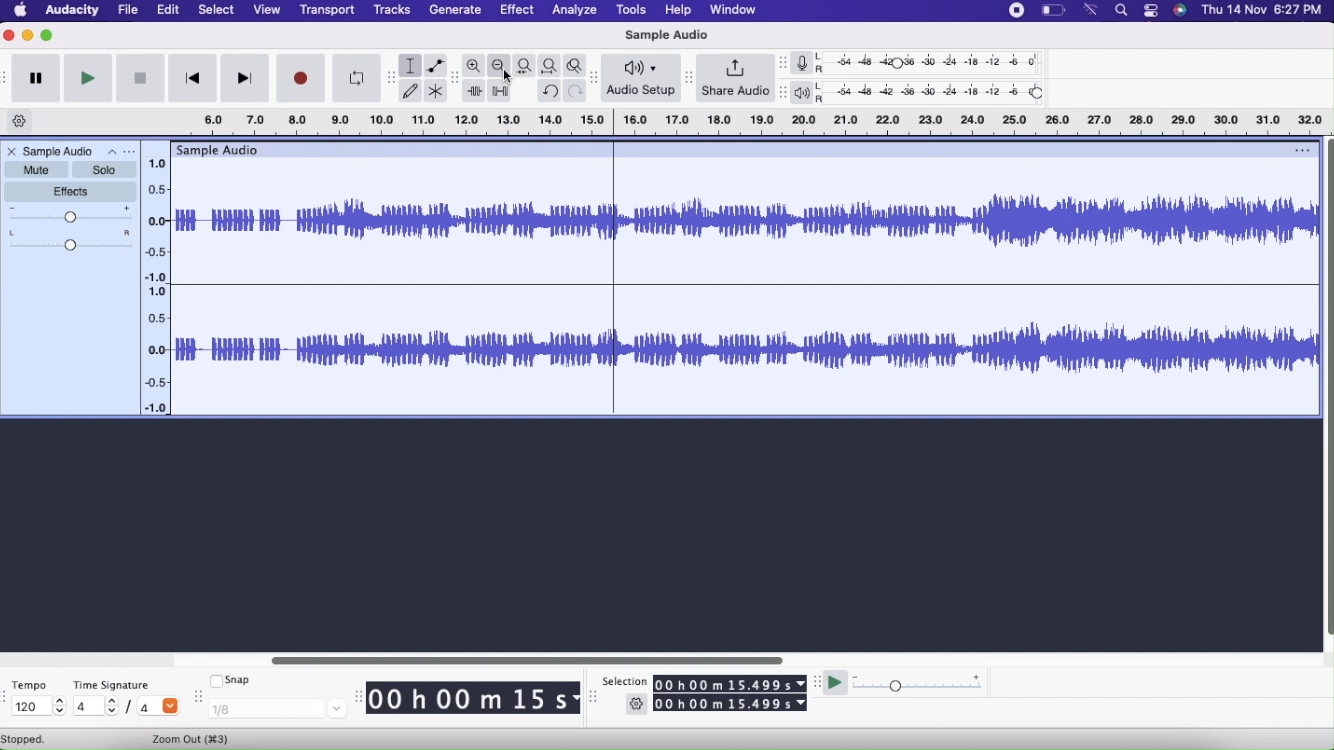  I want to click on Skip to end, so click(244, 78).